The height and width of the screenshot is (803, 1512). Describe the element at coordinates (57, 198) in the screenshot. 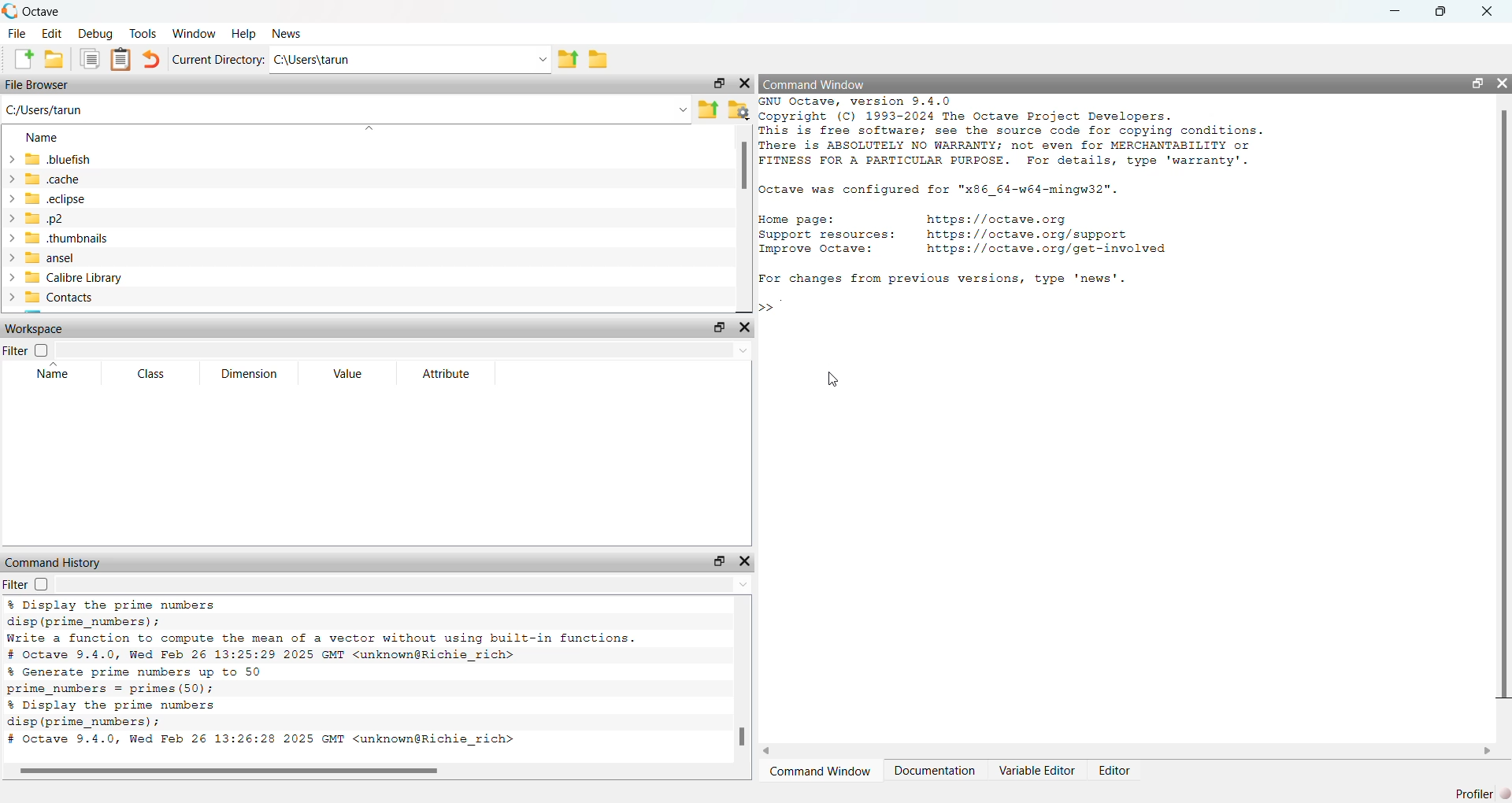

I see `.eclipse` at that location.